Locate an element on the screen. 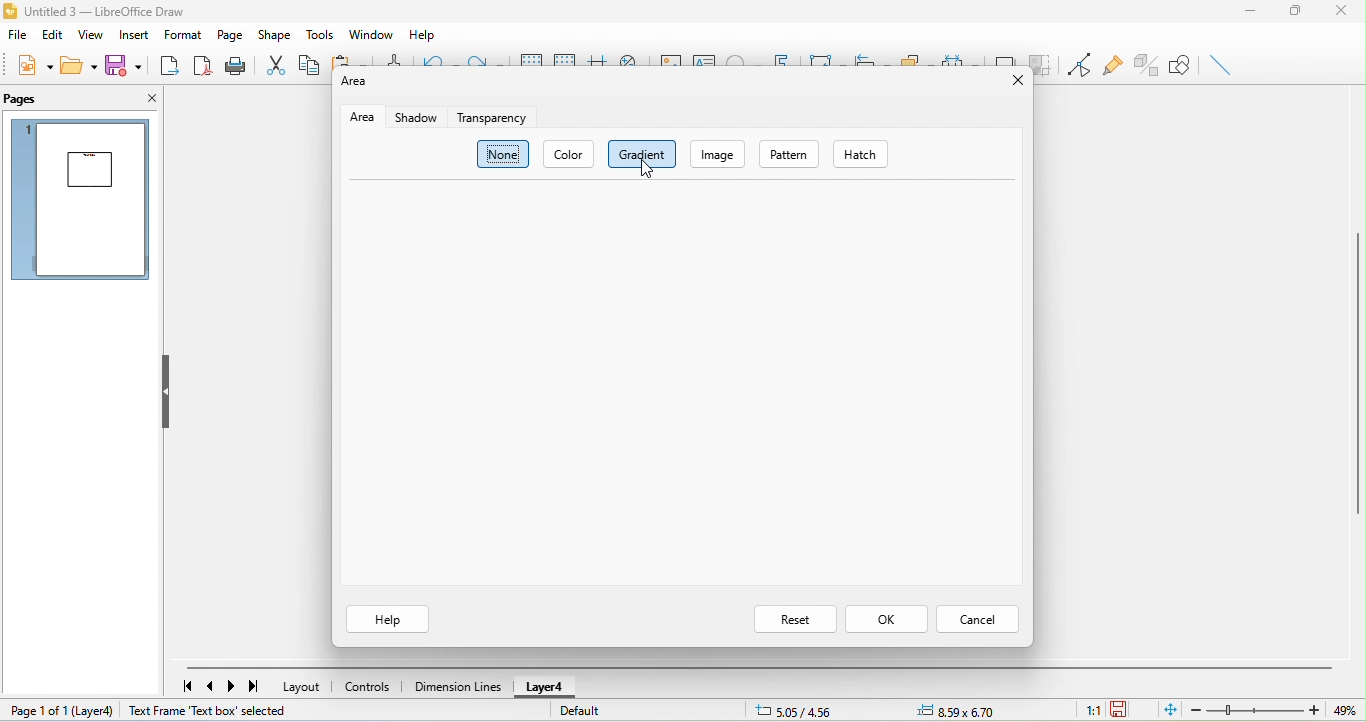  next page is located at coordinates (234, 688).